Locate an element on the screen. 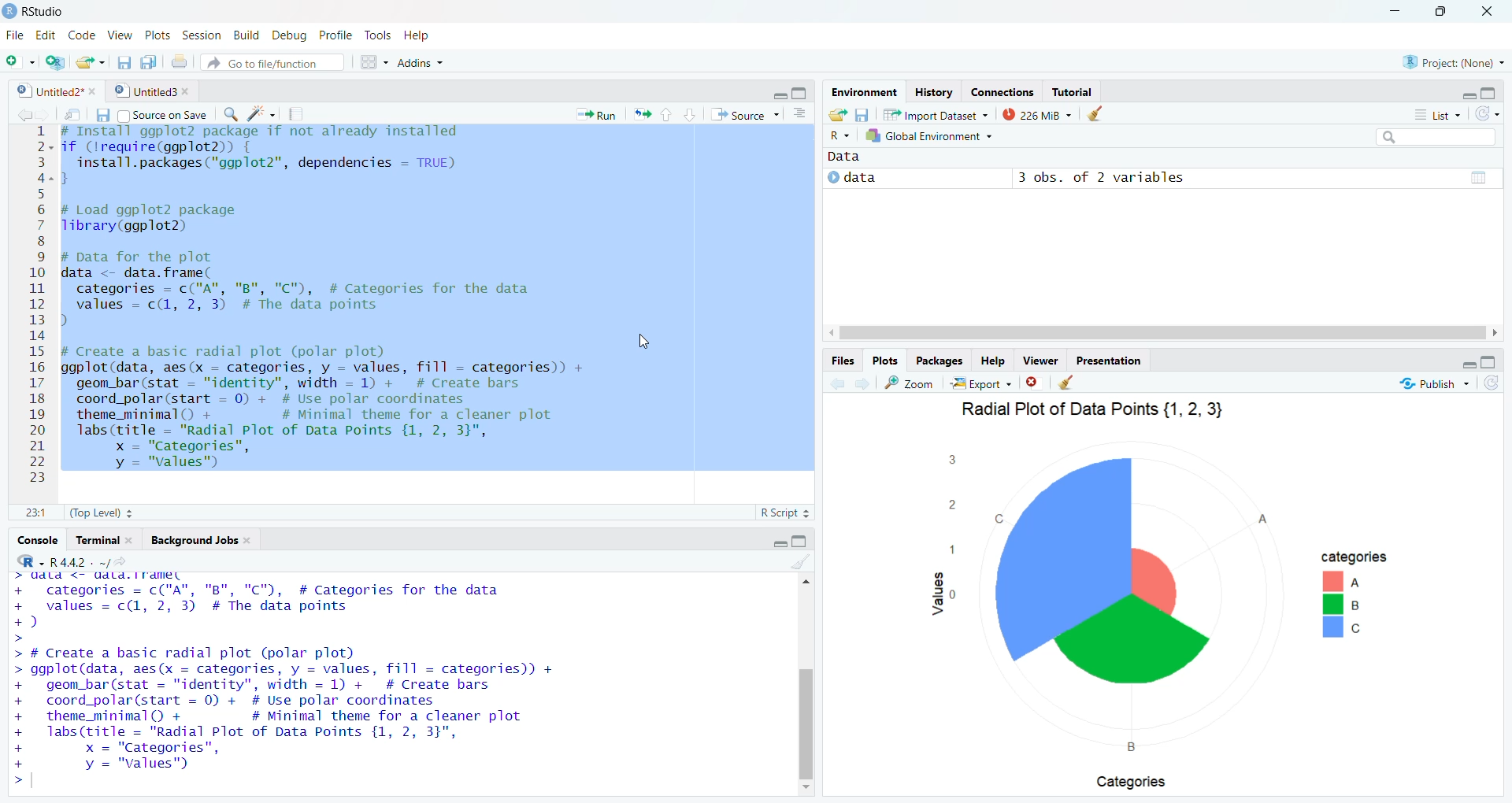 This screenshot has width=1512, height=803. R442. ~/ is located at coordinates (79, 563).